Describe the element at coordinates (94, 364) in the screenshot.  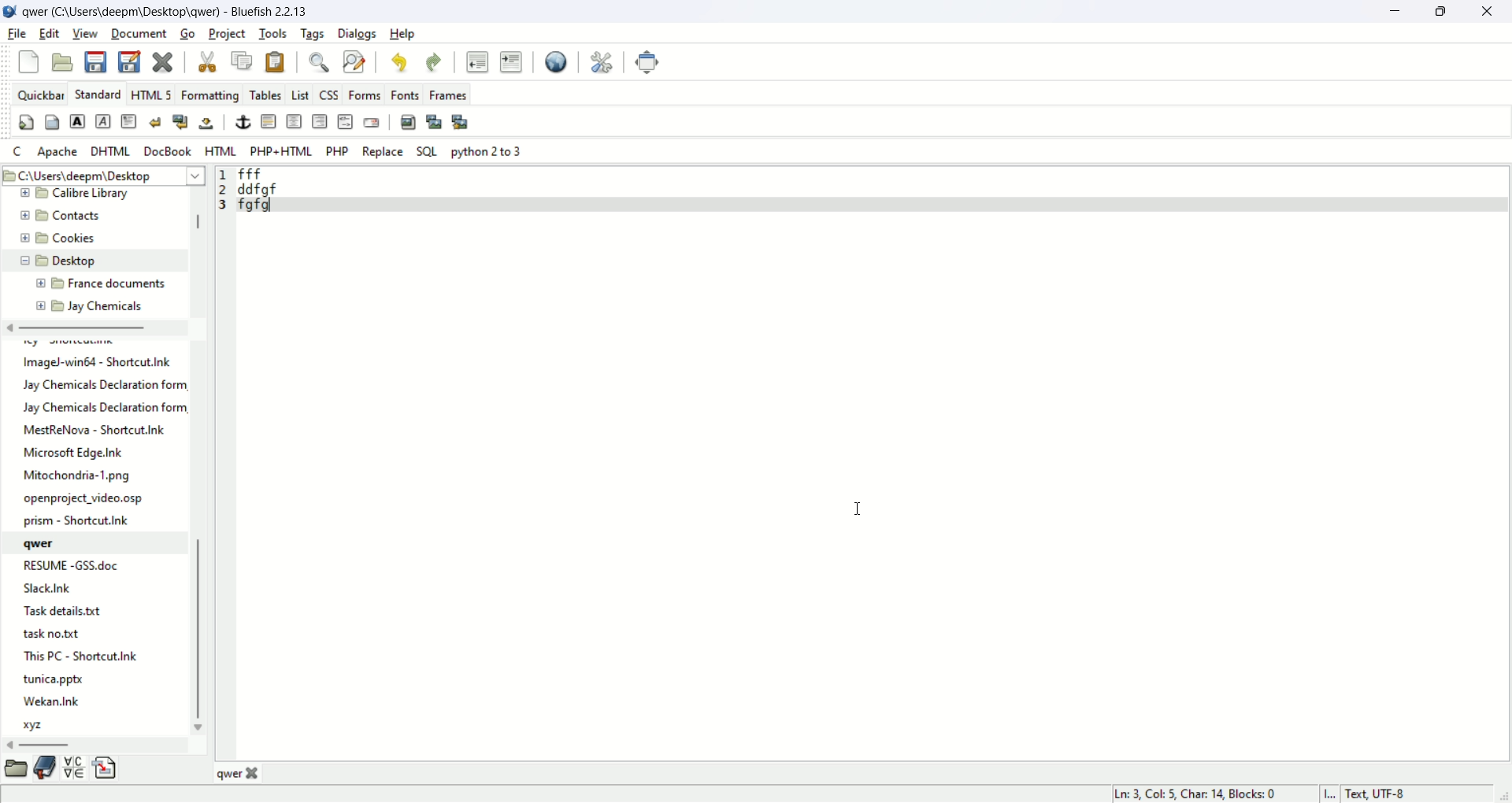
I see `file` at that location.